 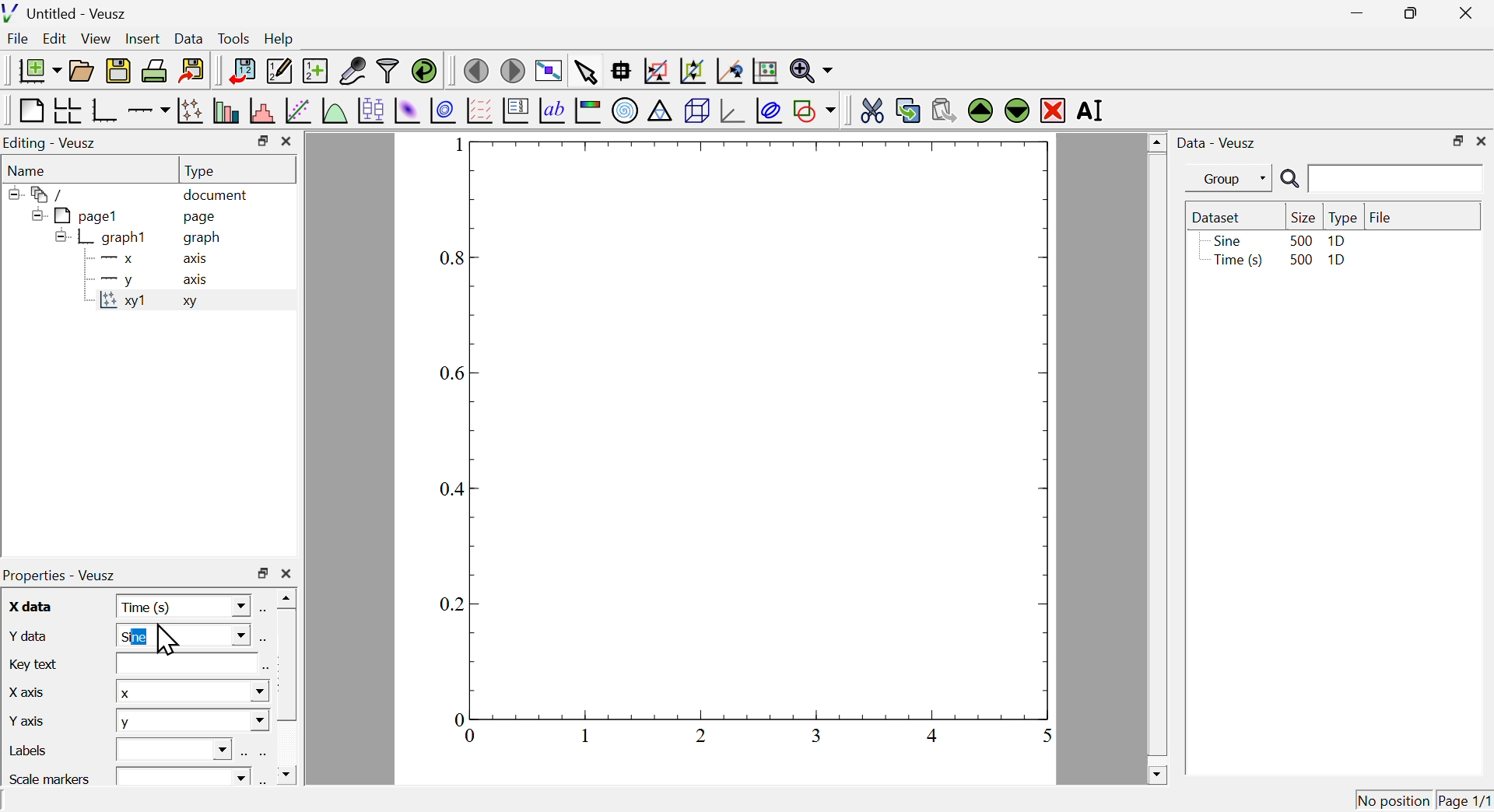 I want to click on reload linked datasets, so click(x=423, y=70).